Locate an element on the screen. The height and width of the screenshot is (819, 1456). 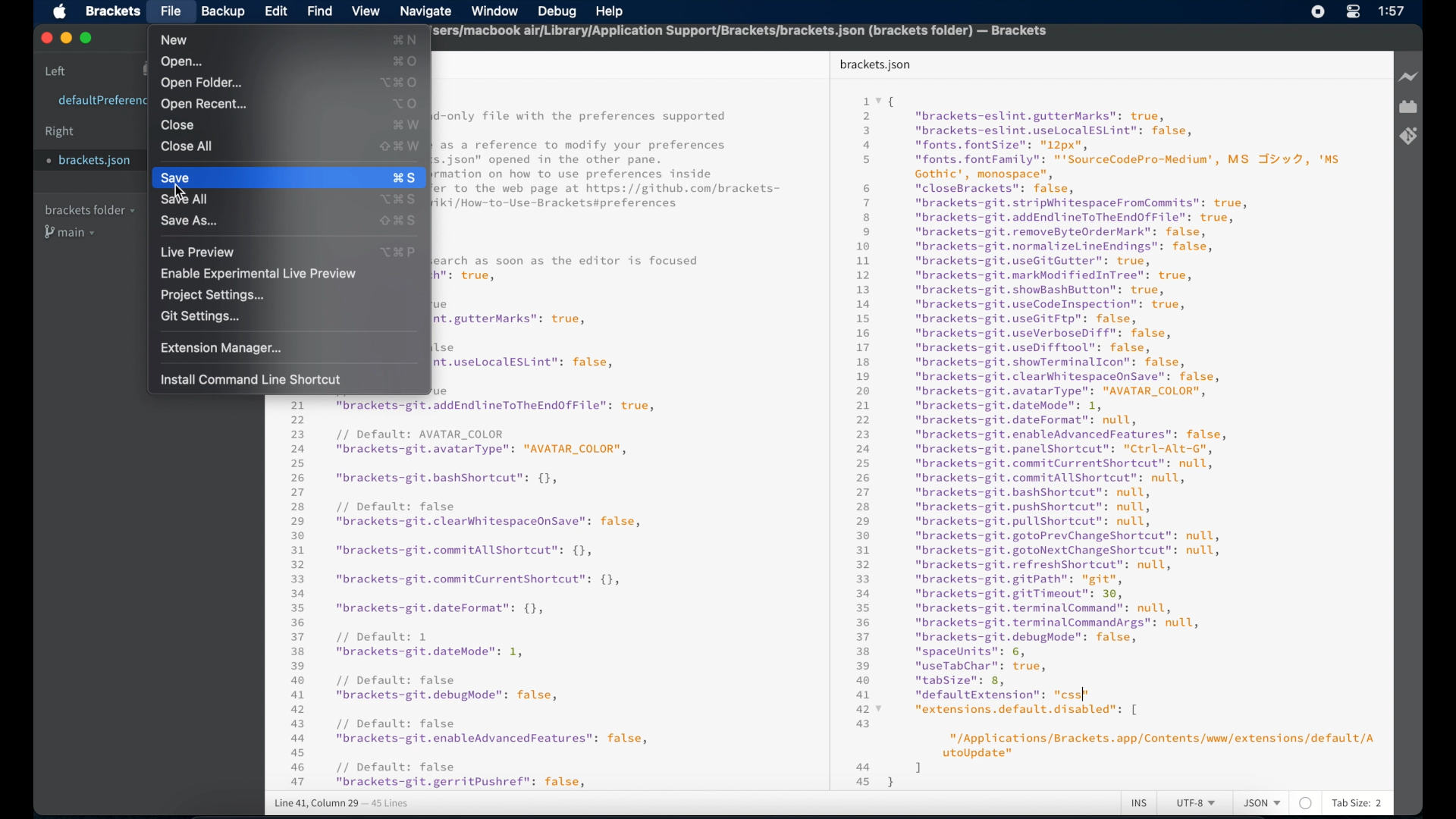
utf-8 is located at coordinates (1197, 804).